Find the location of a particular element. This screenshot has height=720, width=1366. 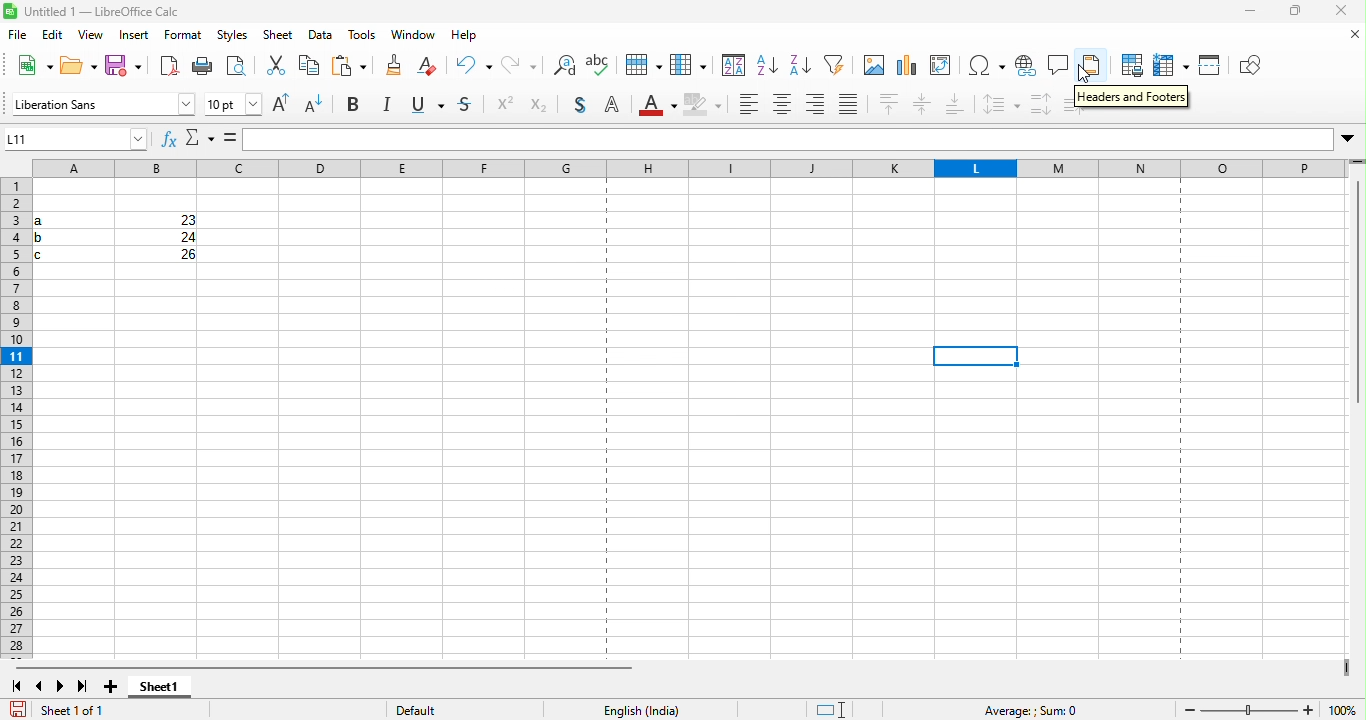

increase font size is located at coordinates (286, 107).